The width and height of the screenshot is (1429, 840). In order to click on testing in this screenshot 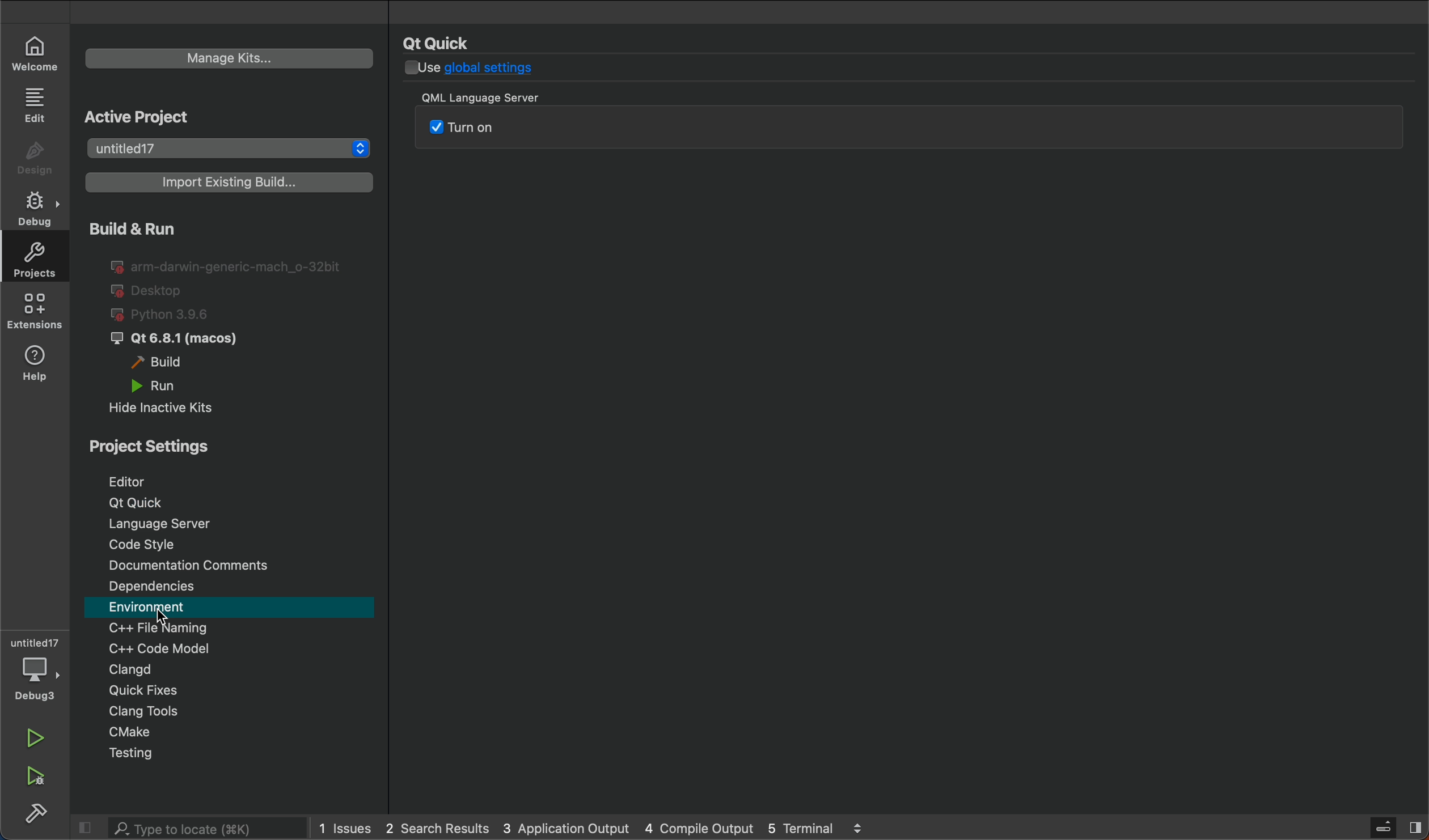, I will do `click(236, 754)`.